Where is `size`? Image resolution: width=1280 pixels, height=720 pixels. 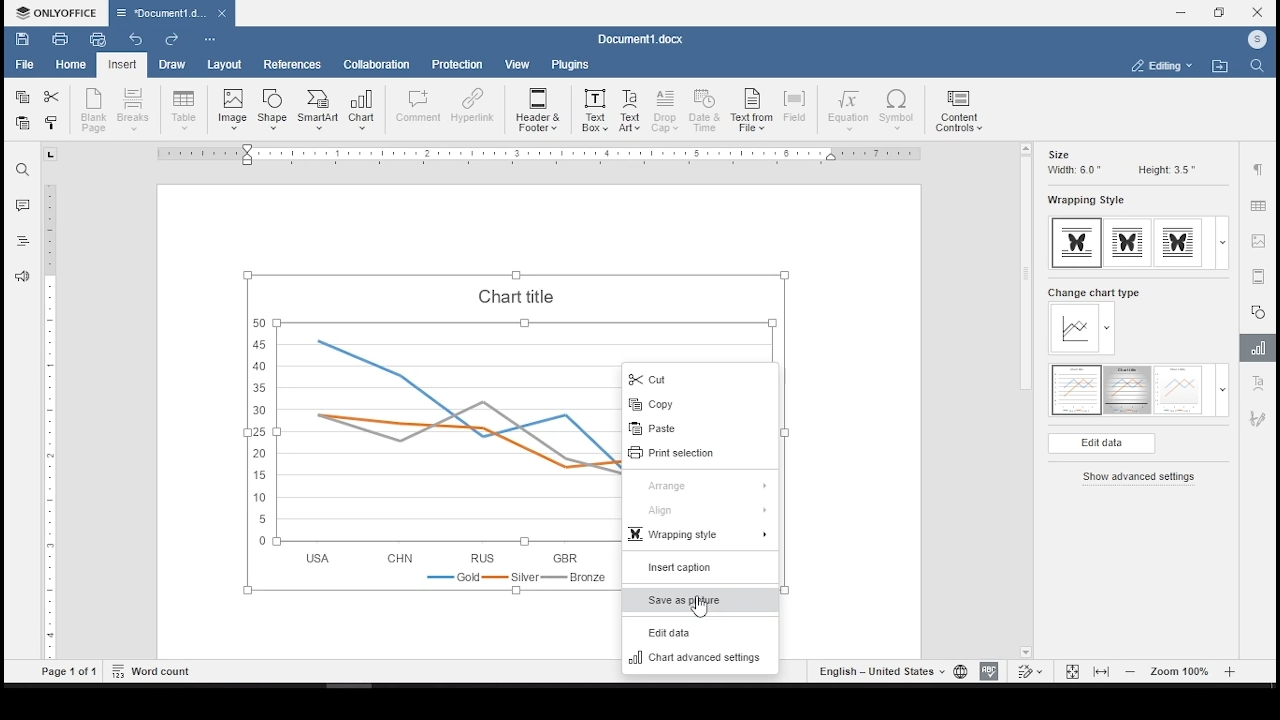
size is located at coordinates (1058, 154).